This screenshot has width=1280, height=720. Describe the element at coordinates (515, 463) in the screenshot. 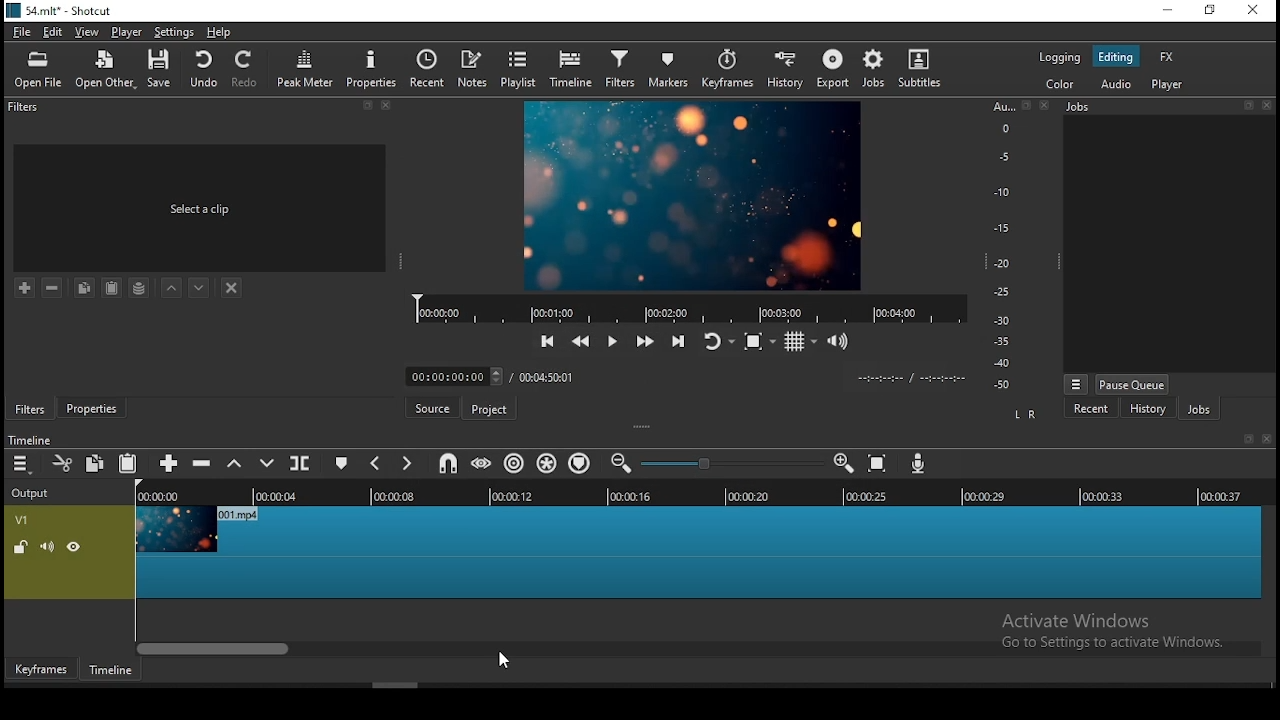

I see `ripple` at that location.